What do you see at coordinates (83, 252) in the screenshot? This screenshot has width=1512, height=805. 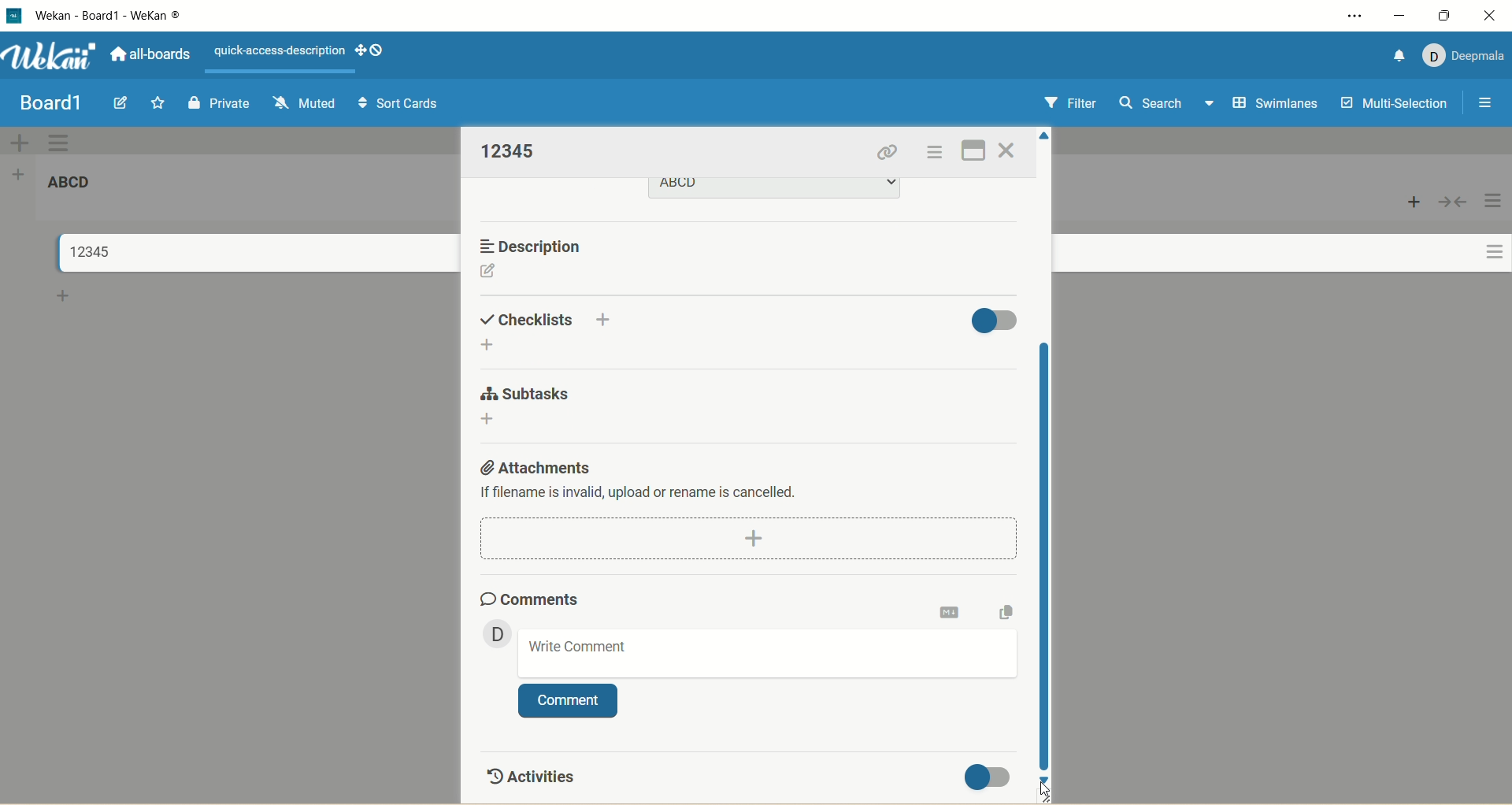 I see `title` at bounding box center [83, 252].